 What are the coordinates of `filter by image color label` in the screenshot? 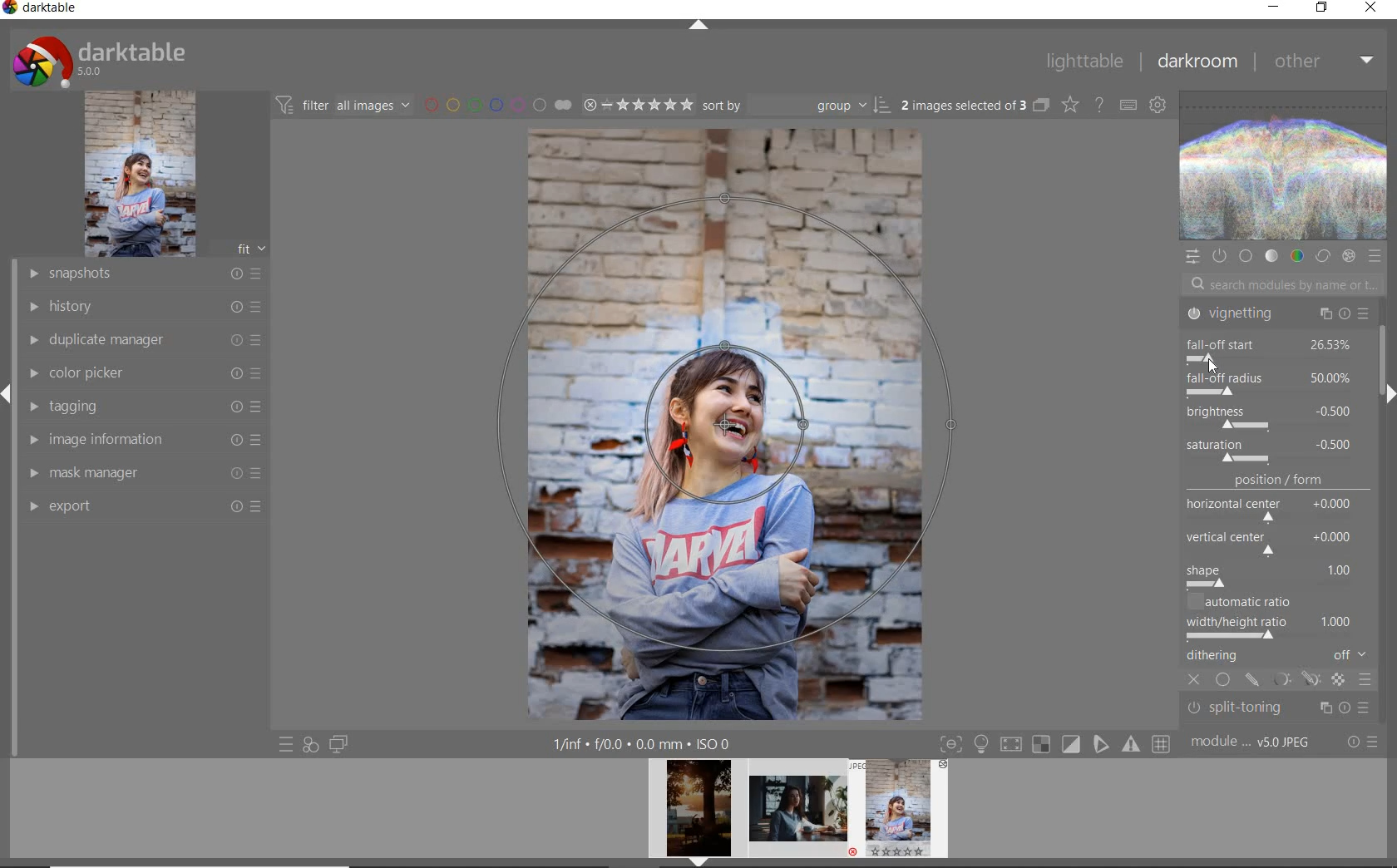 It's located at (496, 104).